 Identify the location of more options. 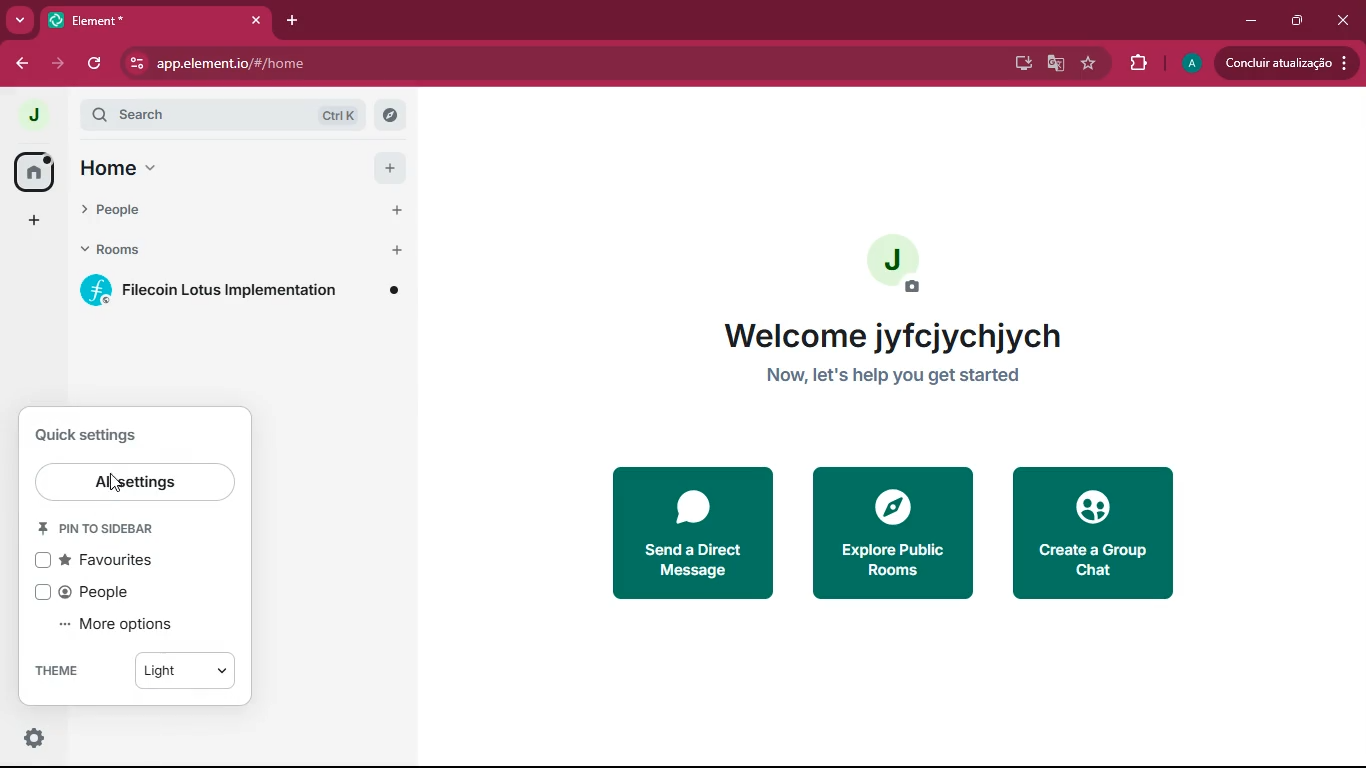
(128, 625).